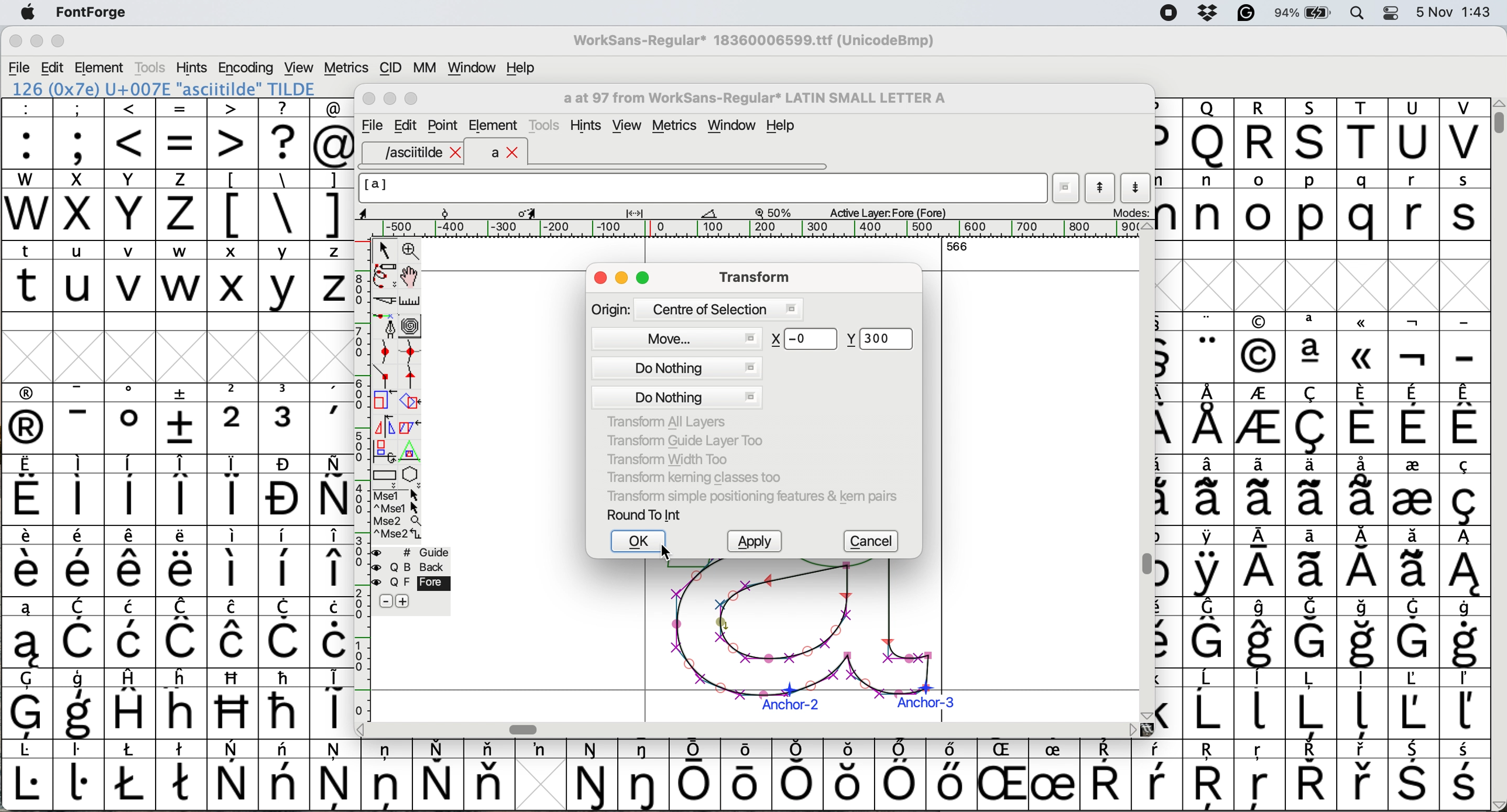  I want to click on symbol, so click(27, 562).